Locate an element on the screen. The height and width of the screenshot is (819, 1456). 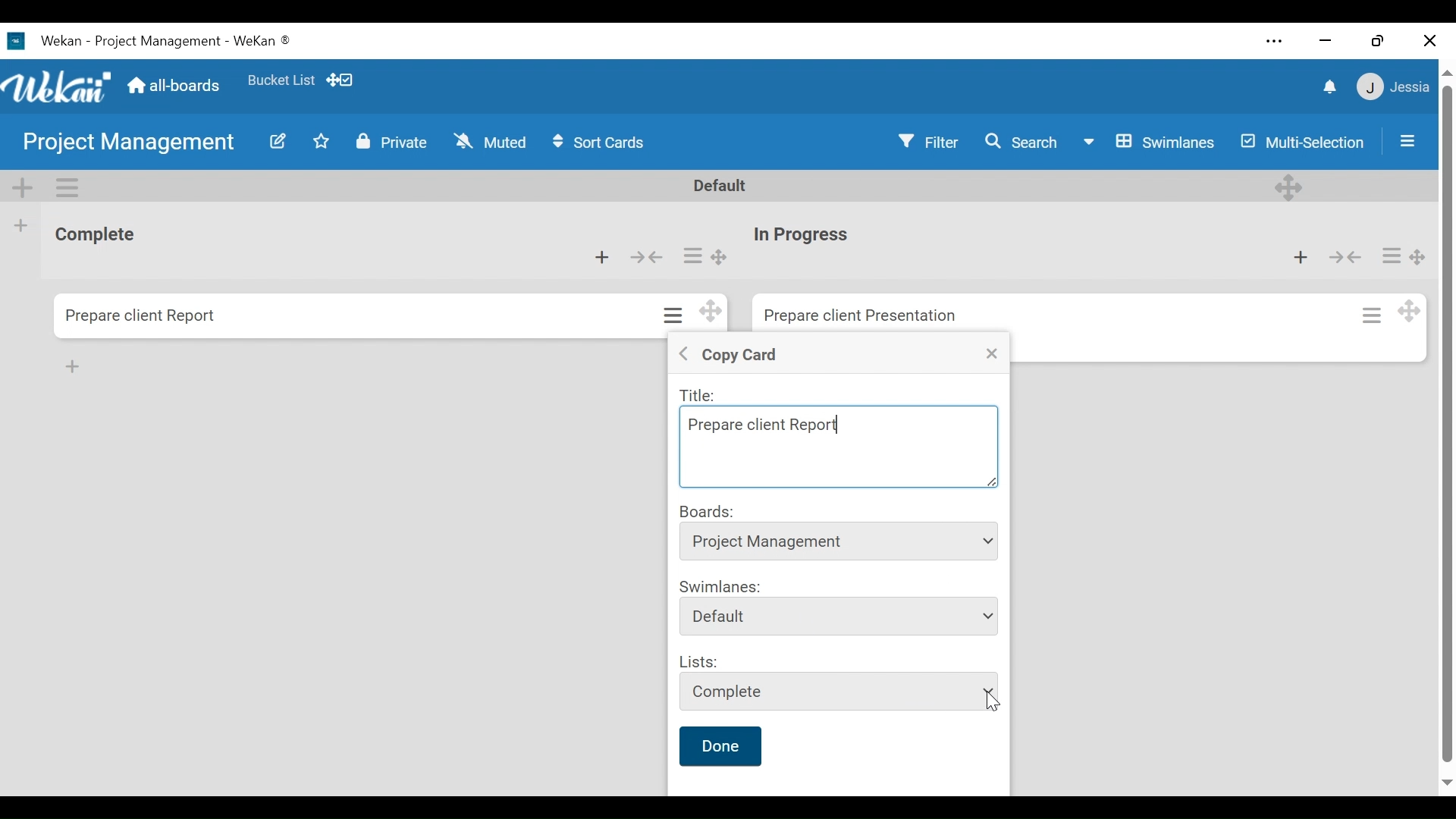
Card Title is located at coordinates (808, 235).